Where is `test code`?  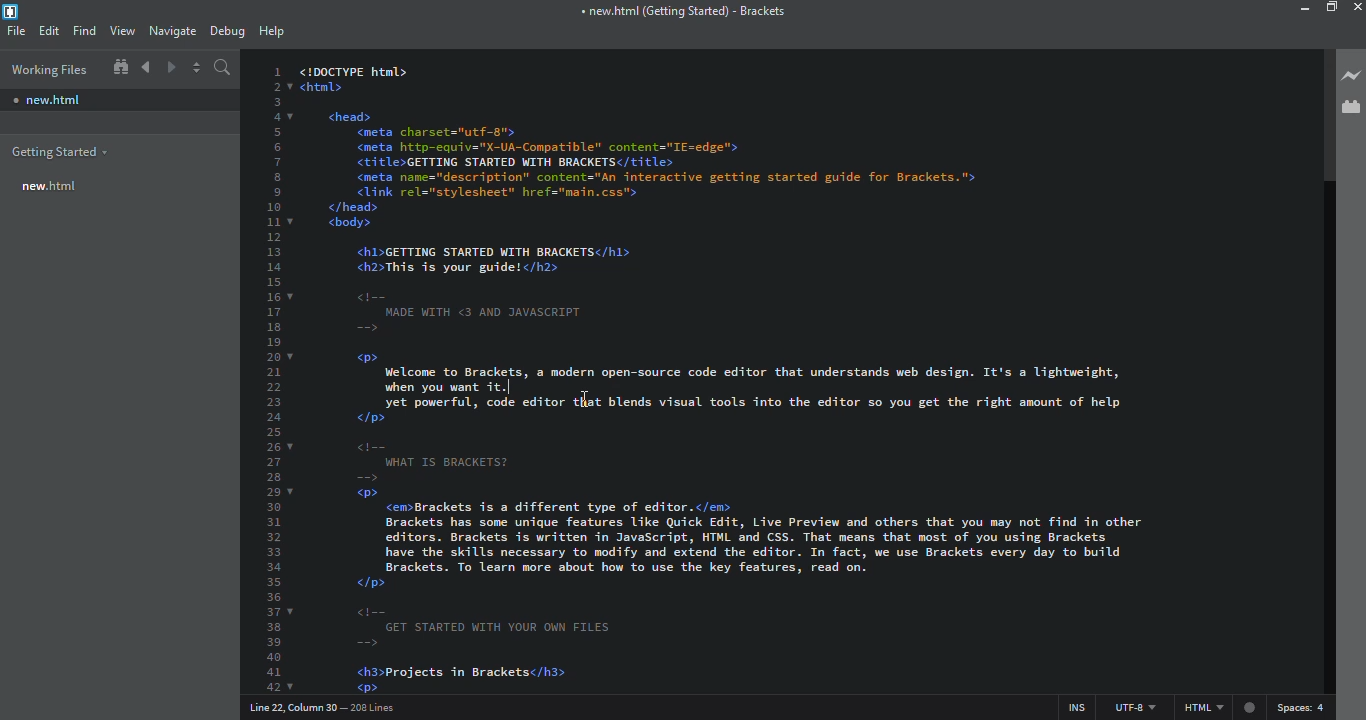
test code is located at coordinates (712, 203).